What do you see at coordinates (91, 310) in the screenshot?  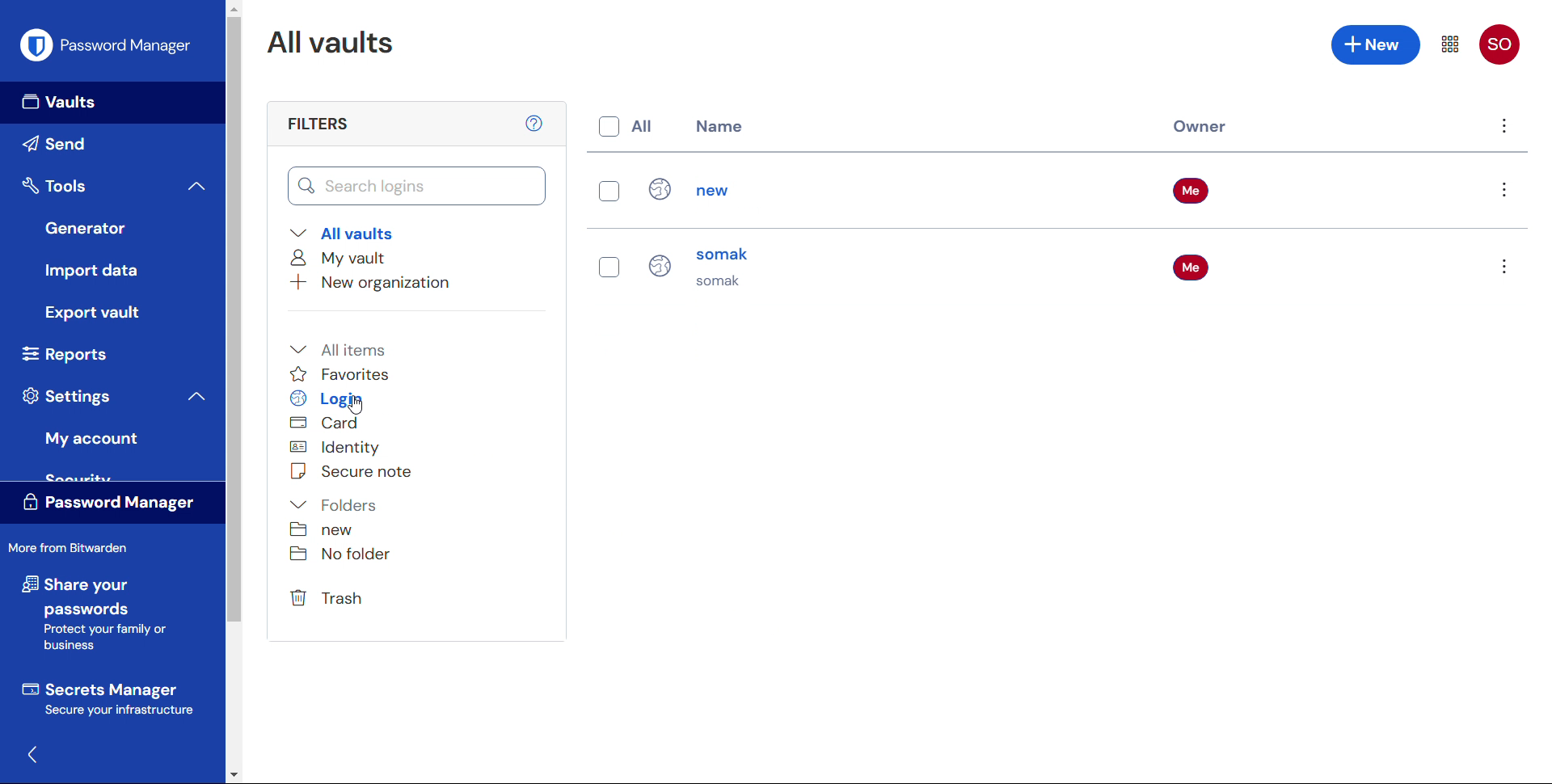 I see `Export vault ` at bounding box center [91, 310].